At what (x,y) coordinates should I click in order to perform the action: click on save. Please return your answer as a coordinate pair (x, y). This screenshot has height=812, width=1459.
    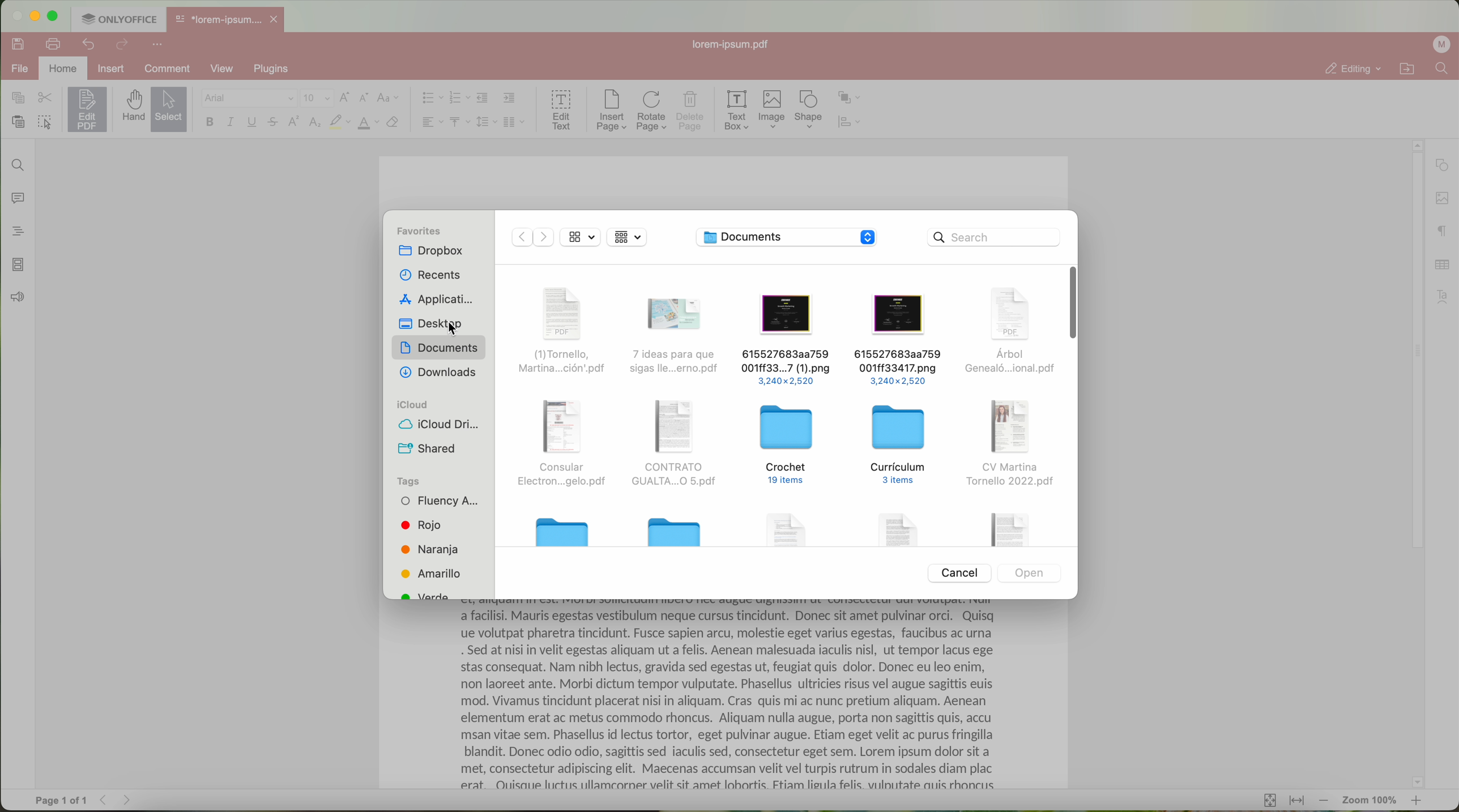
    Looking at the image, I should click on (15, 43).